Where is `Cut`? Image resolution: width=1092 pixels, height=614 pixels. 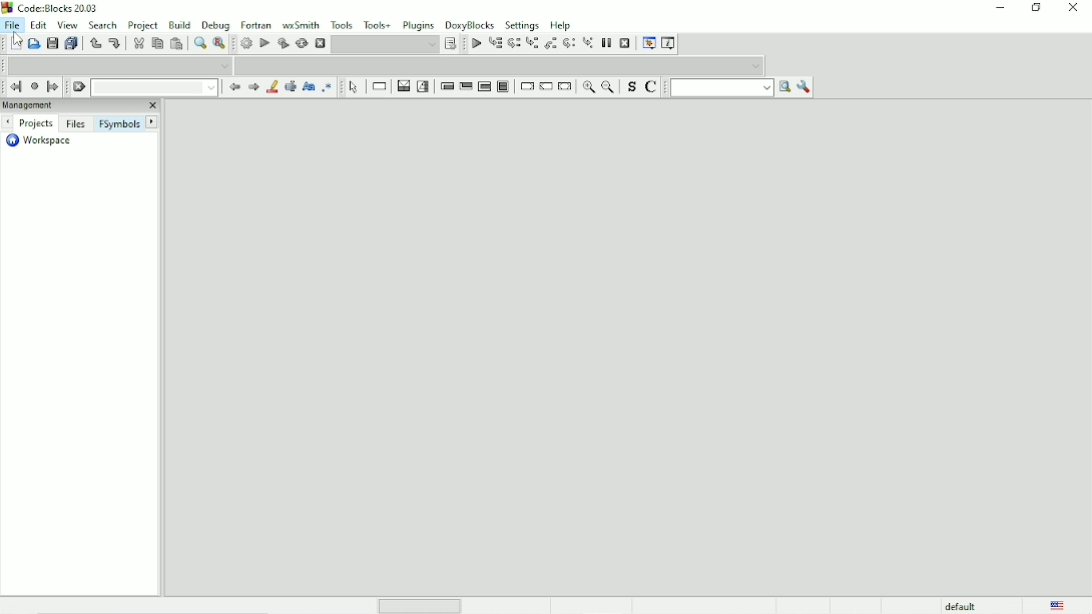
Cut is located at coordinates (136, 44).